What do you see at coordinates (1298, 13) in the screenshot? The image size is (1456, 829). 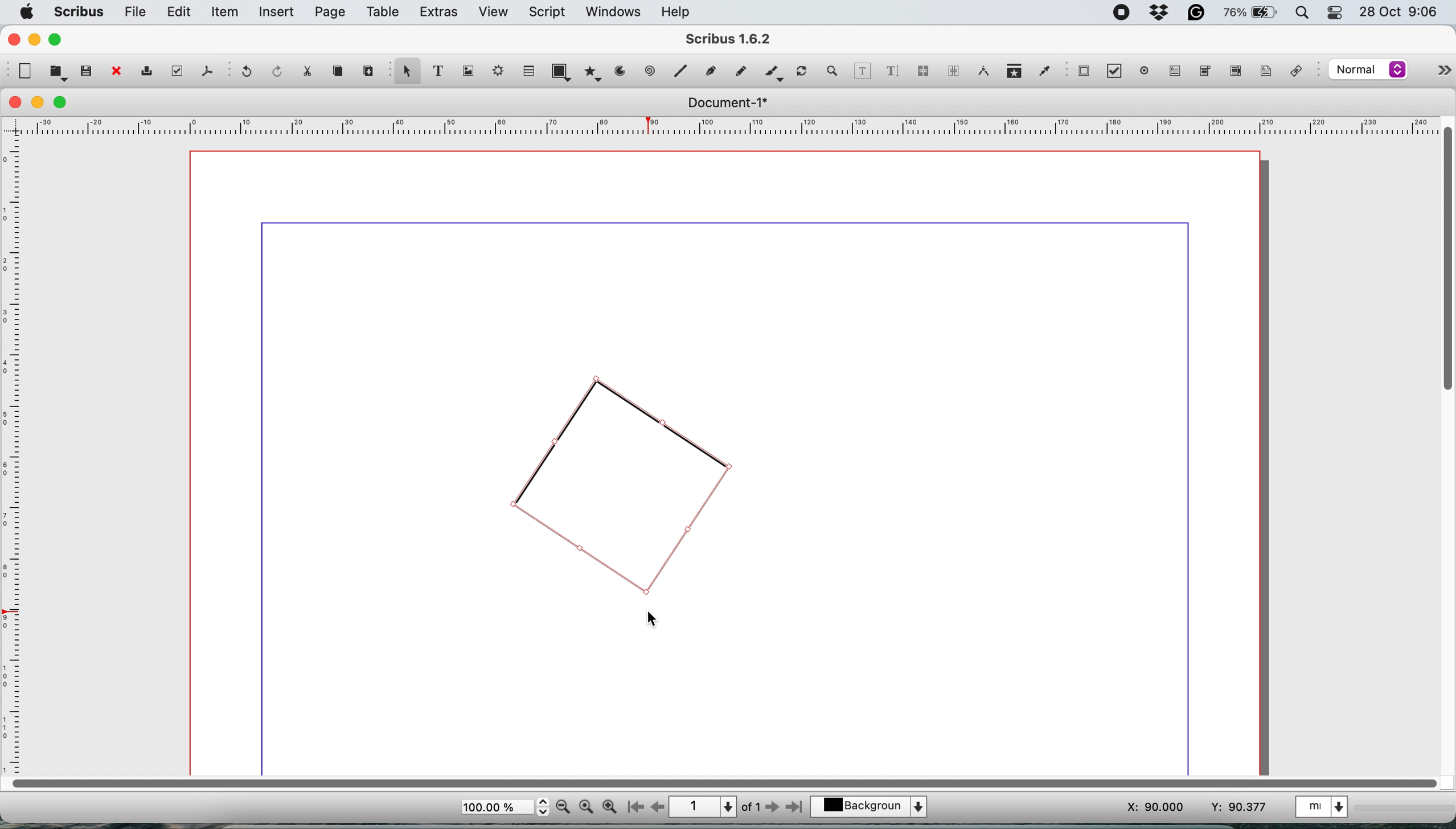 I see `spotlight search` at bounding box center [1298, 13].